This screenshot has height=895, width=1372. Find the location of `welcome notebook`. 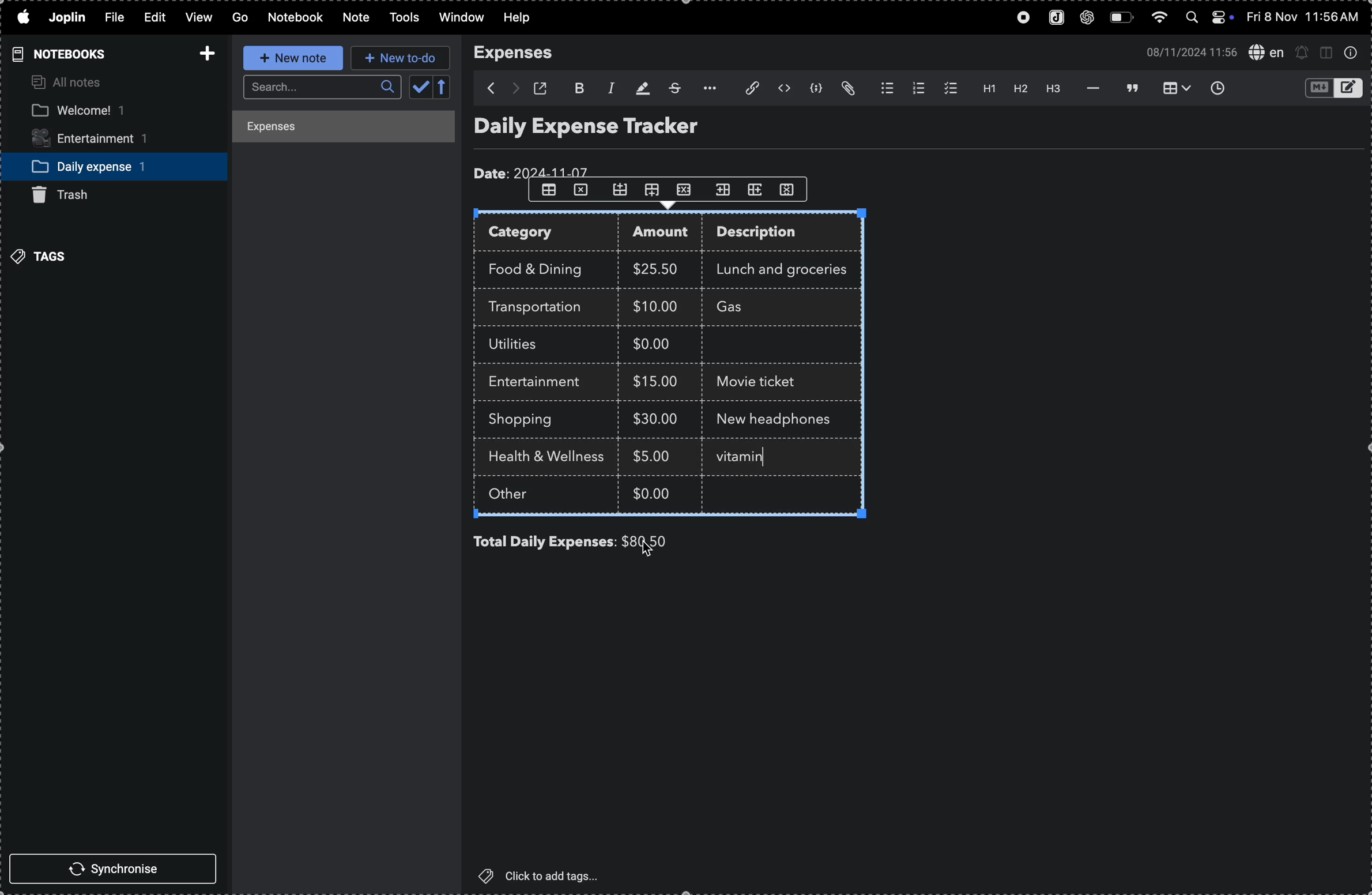

welcome notebook is located at coordinates (101, 111).